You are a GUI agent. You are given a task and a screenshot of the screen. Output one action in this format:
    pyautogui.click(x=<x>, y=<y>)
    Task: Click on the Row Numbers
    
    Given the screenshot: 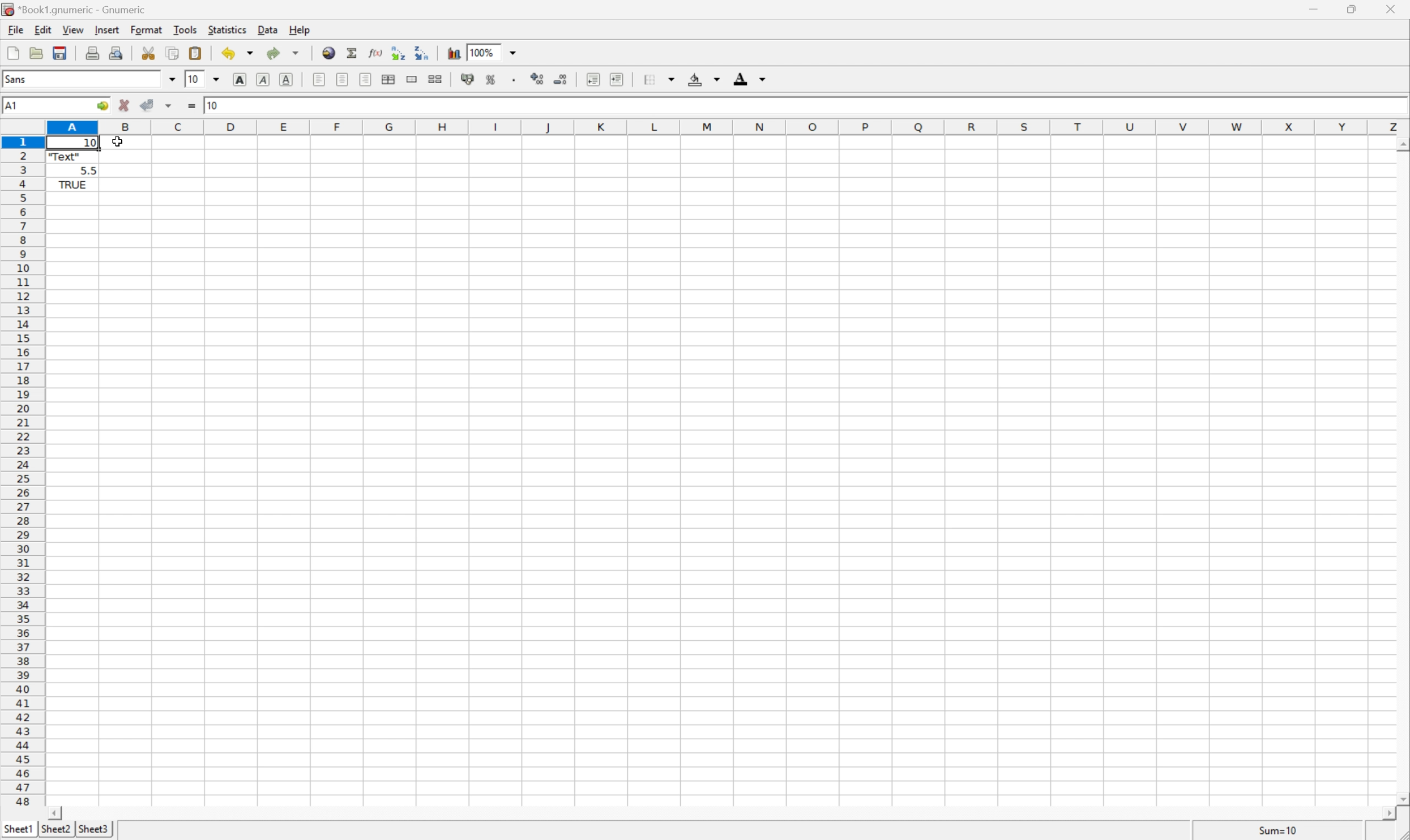 What is the action you would take?
    pyautogui.click(x=21, y=473)
    